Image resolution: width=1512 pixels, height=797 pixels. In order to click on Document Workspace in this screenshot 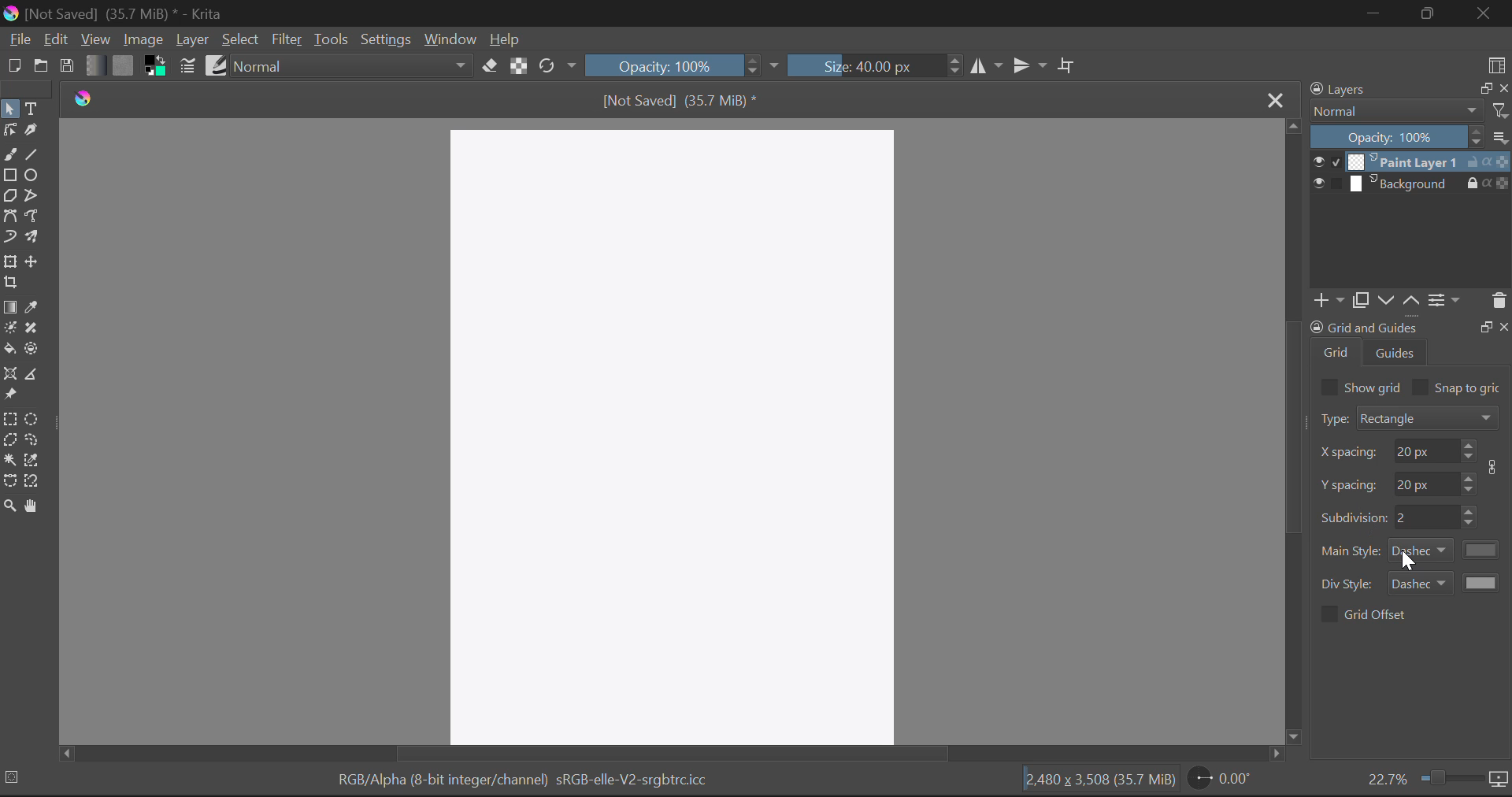, I will do `click(676, 432)`.